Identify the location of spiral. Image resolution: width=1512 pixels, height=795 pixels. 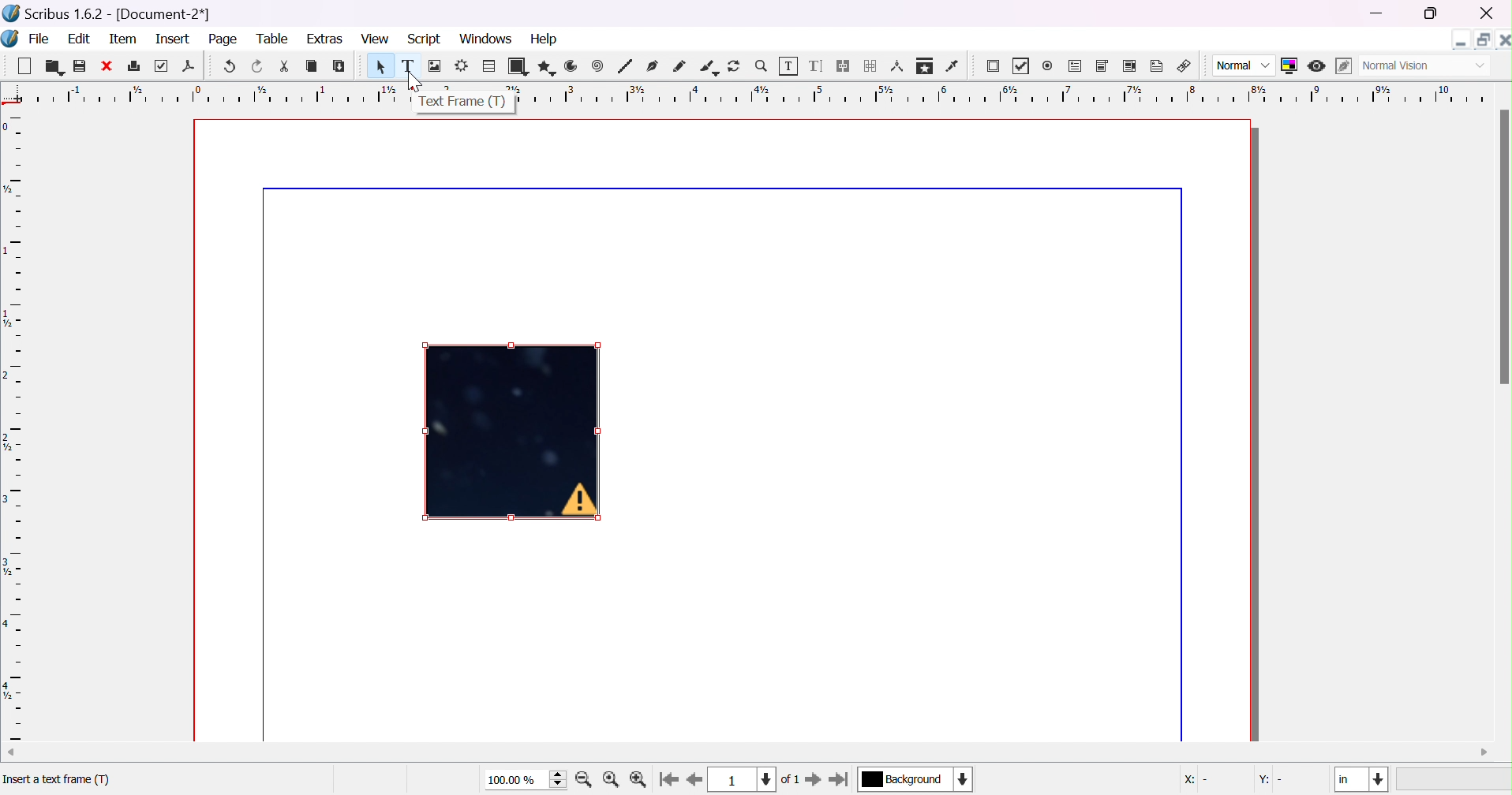
(597, 65).